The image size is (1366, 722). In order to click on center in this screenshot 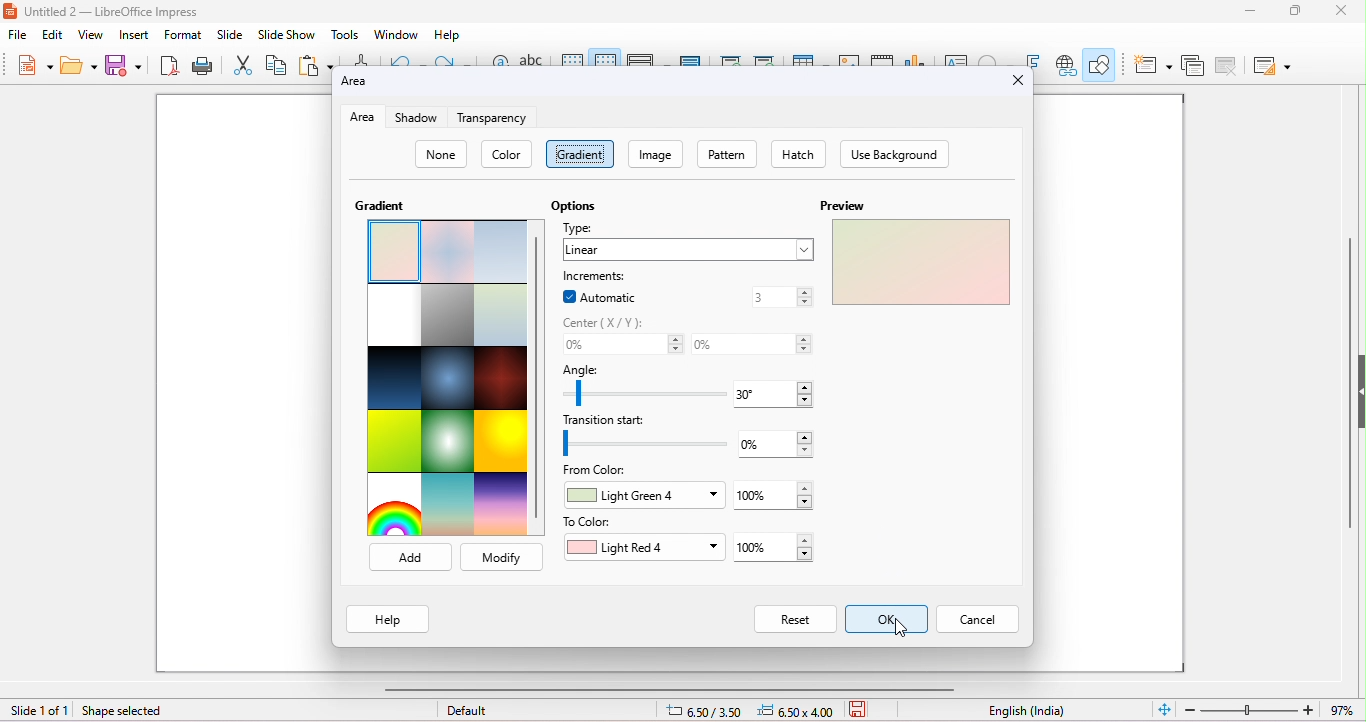, I will do `click(606, 323)`.